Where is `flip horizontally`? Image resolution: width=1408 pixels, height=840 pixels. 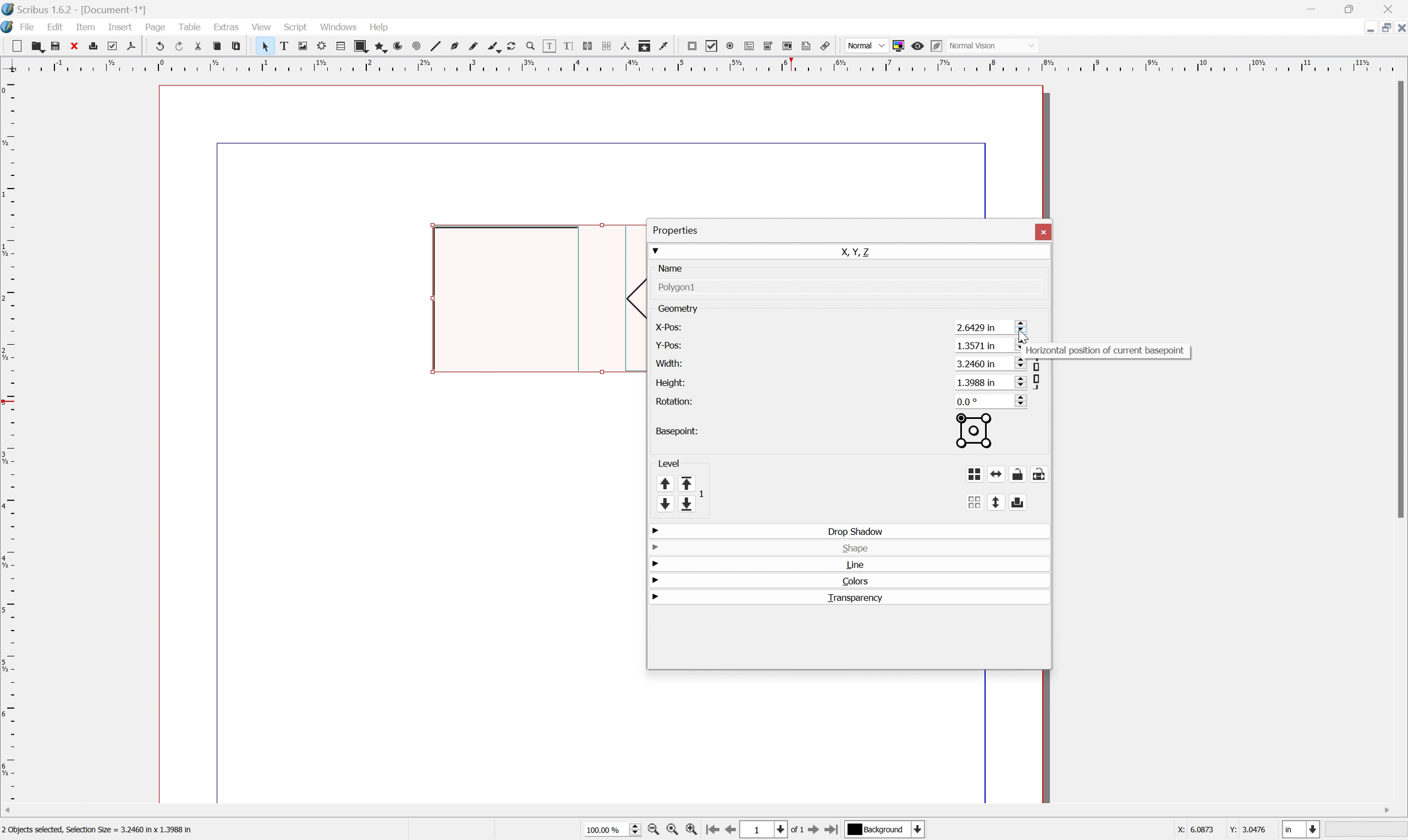 flip horizontally is located at coordinates (997, 474).